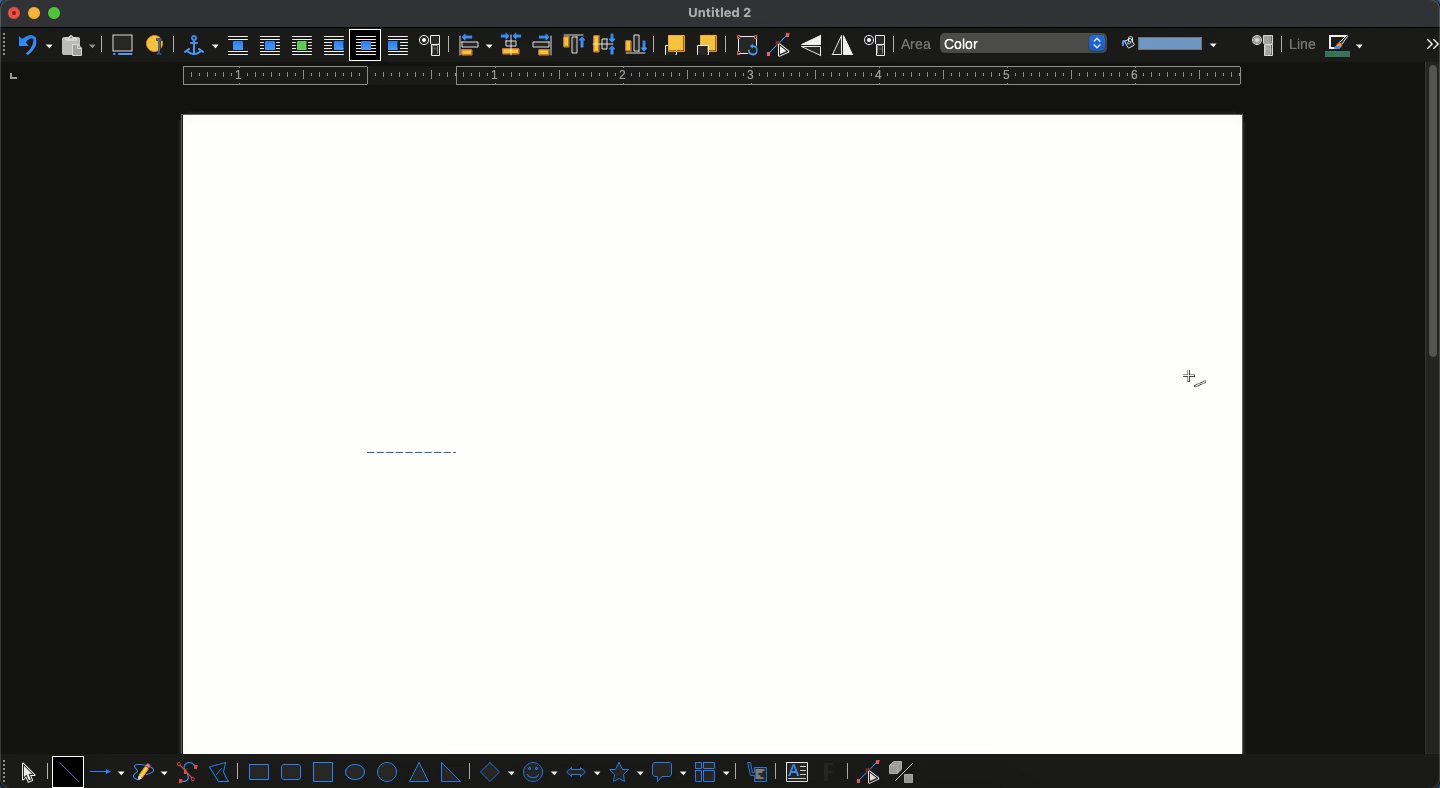  Describe the element at coordinates (637, 44) in the screenshot. I see `bottom` at that location.